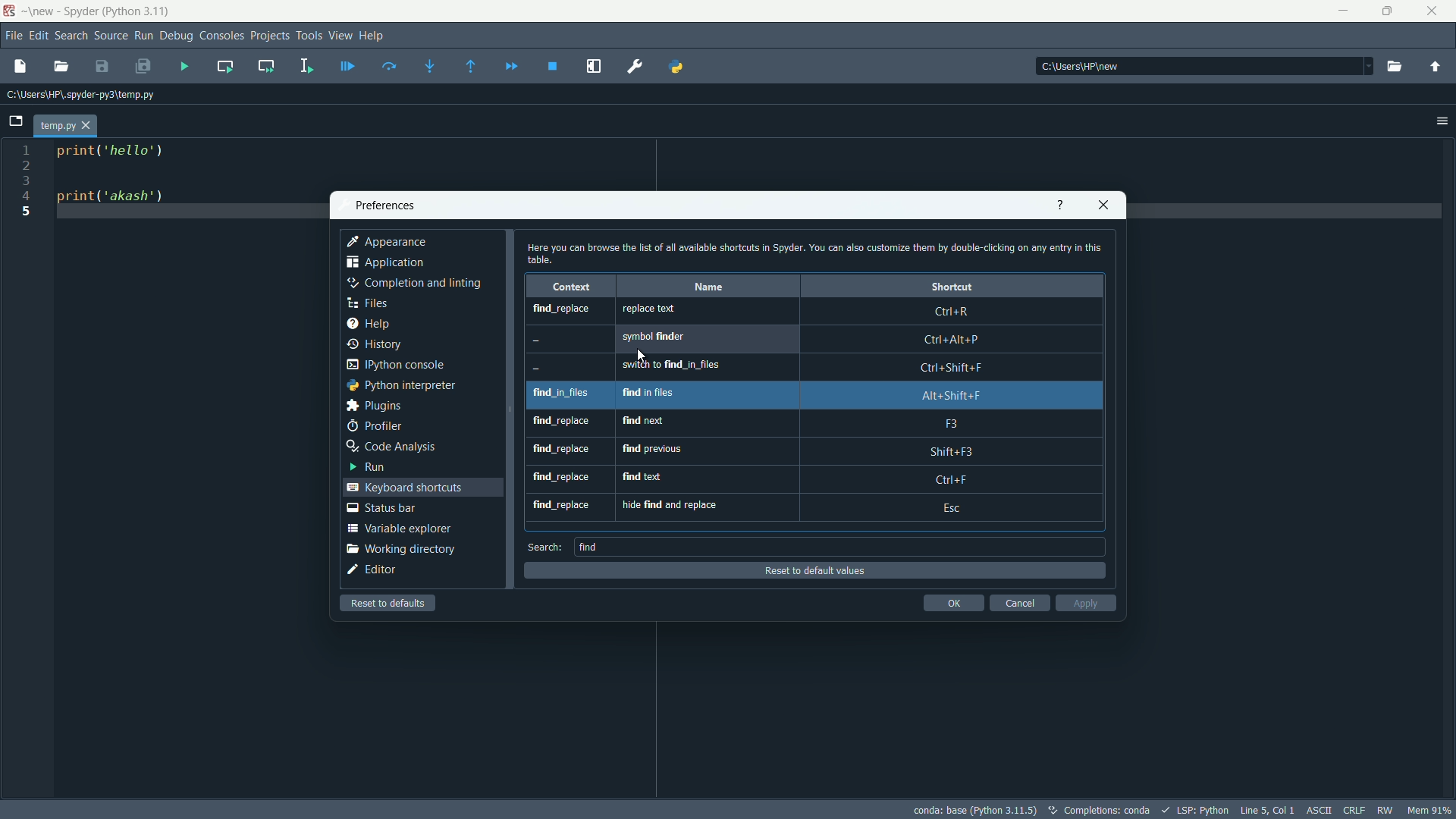  Describe the element at coordinates (388, 262) in the screenshot. I see `application` at that location.